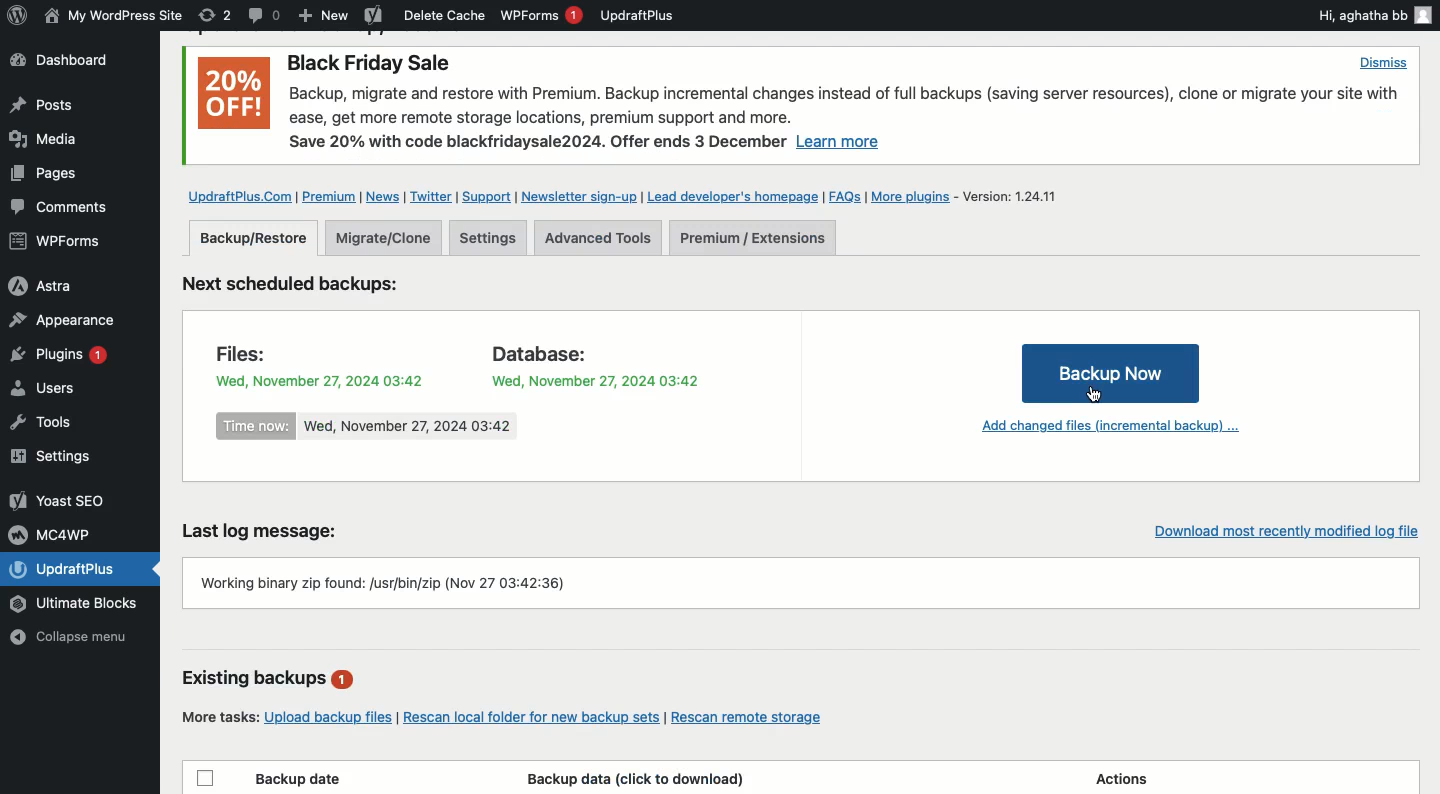 This screenshot has height=794, width=1440. Describe the element at coordinates (432, 197) in the screenshot. I see `Twitter` at that location.